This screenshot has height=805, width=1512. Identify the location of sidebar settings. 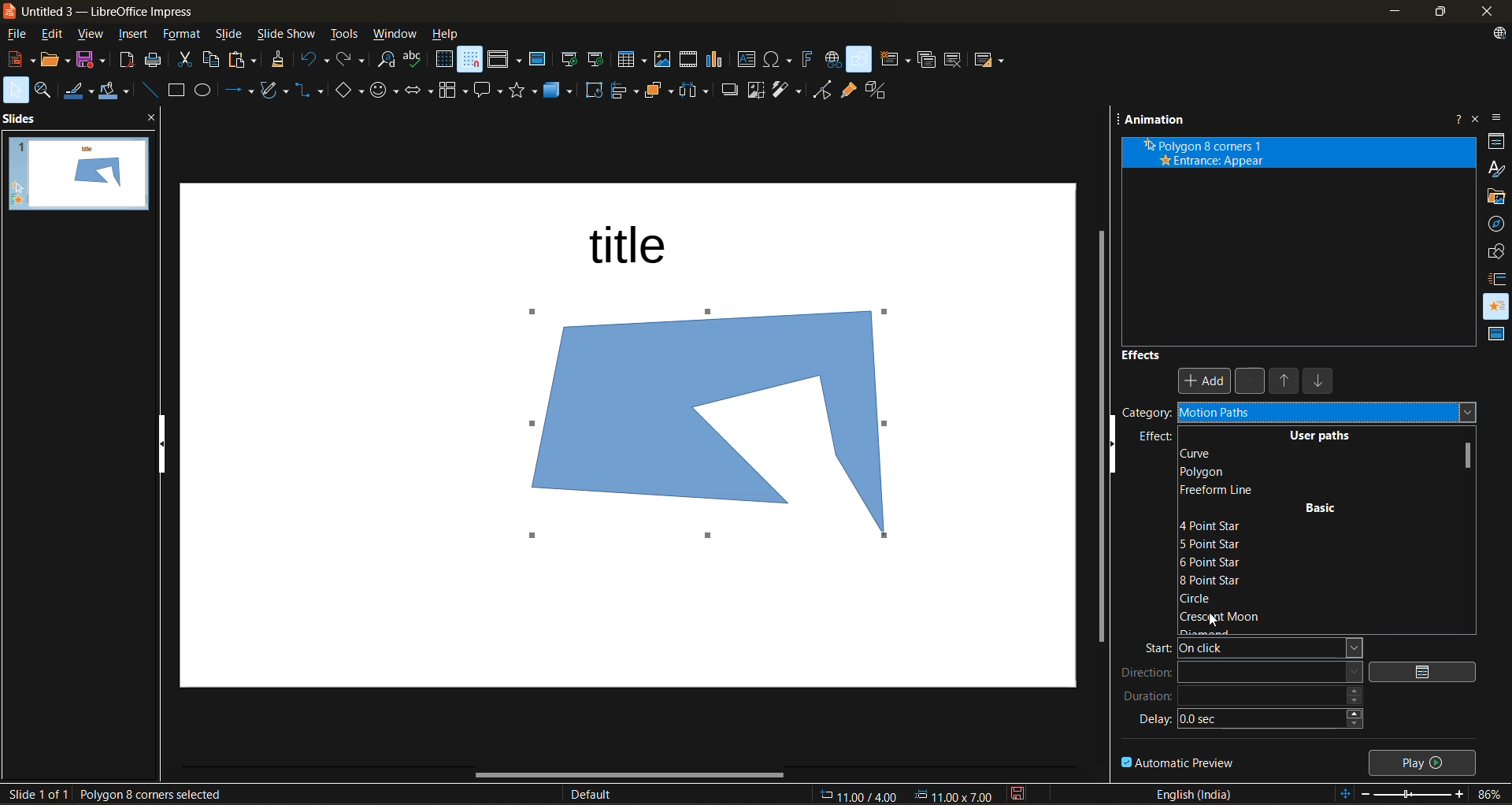
(1501, 117).